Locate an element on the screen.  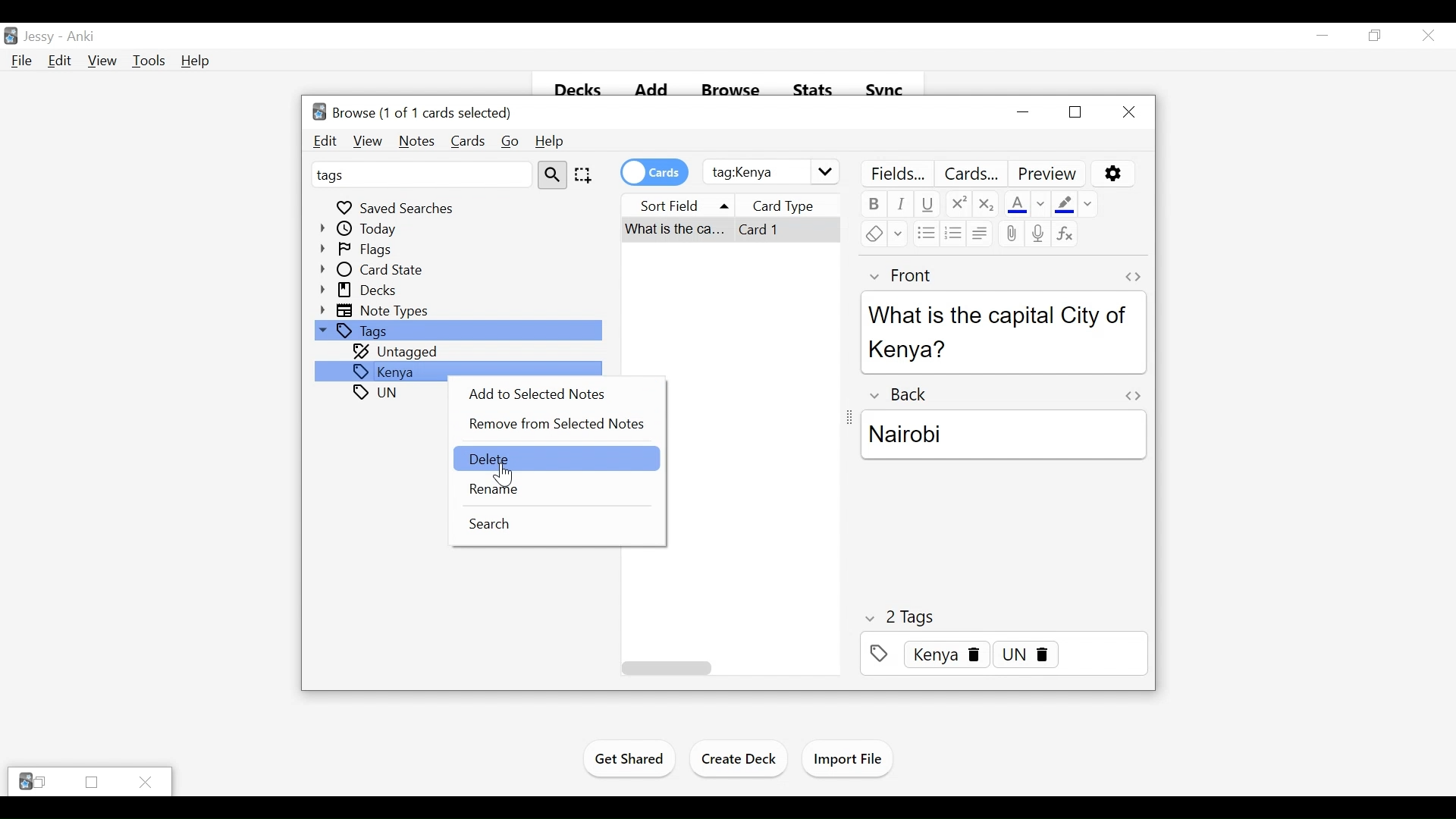
Options is located at coordinates (1112, 173).